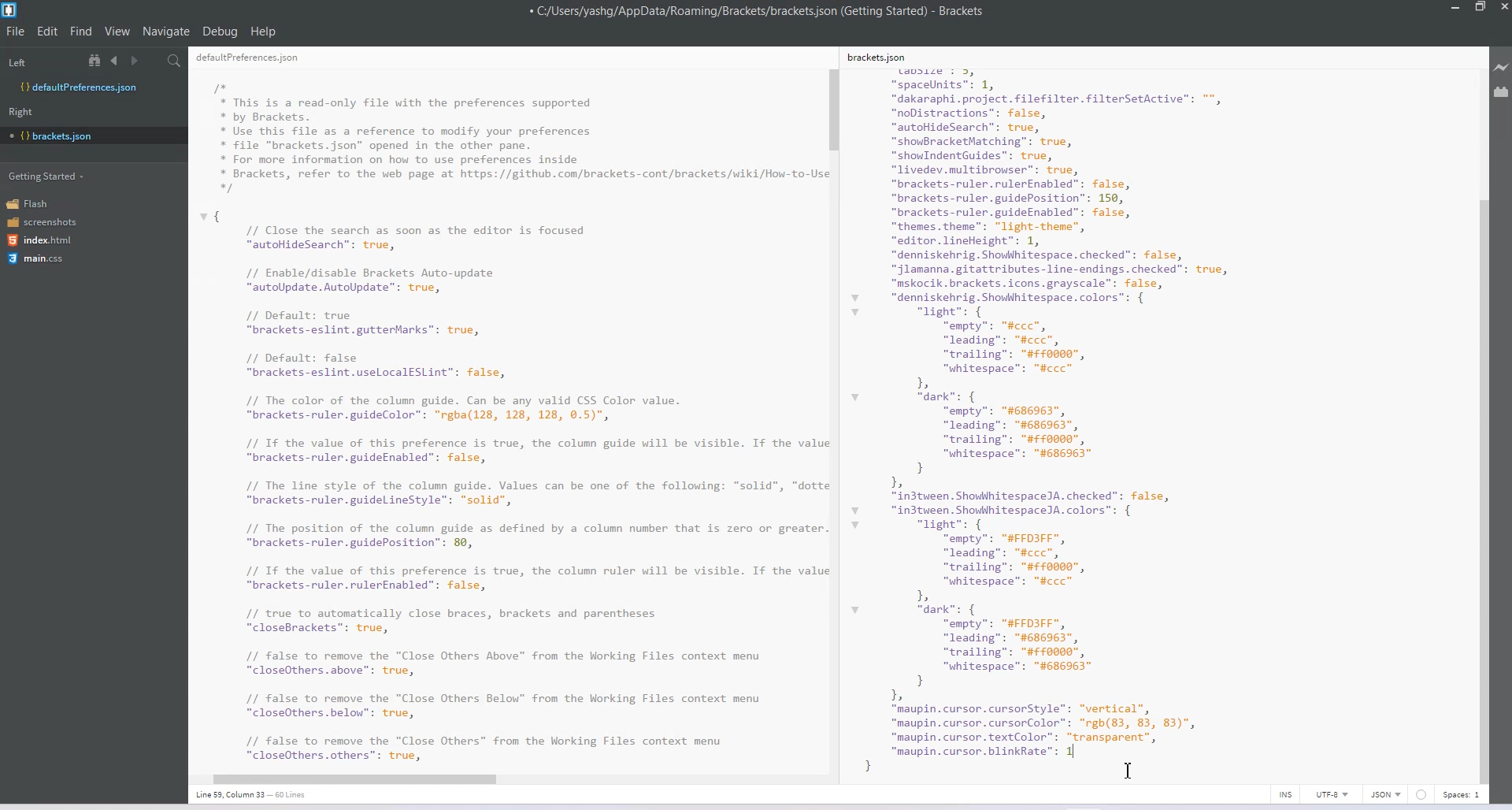  What do you see at coordinates (93, 87) in the screenshot?
I see `Defaultpreferences.json` at bounding box center [93, 87].